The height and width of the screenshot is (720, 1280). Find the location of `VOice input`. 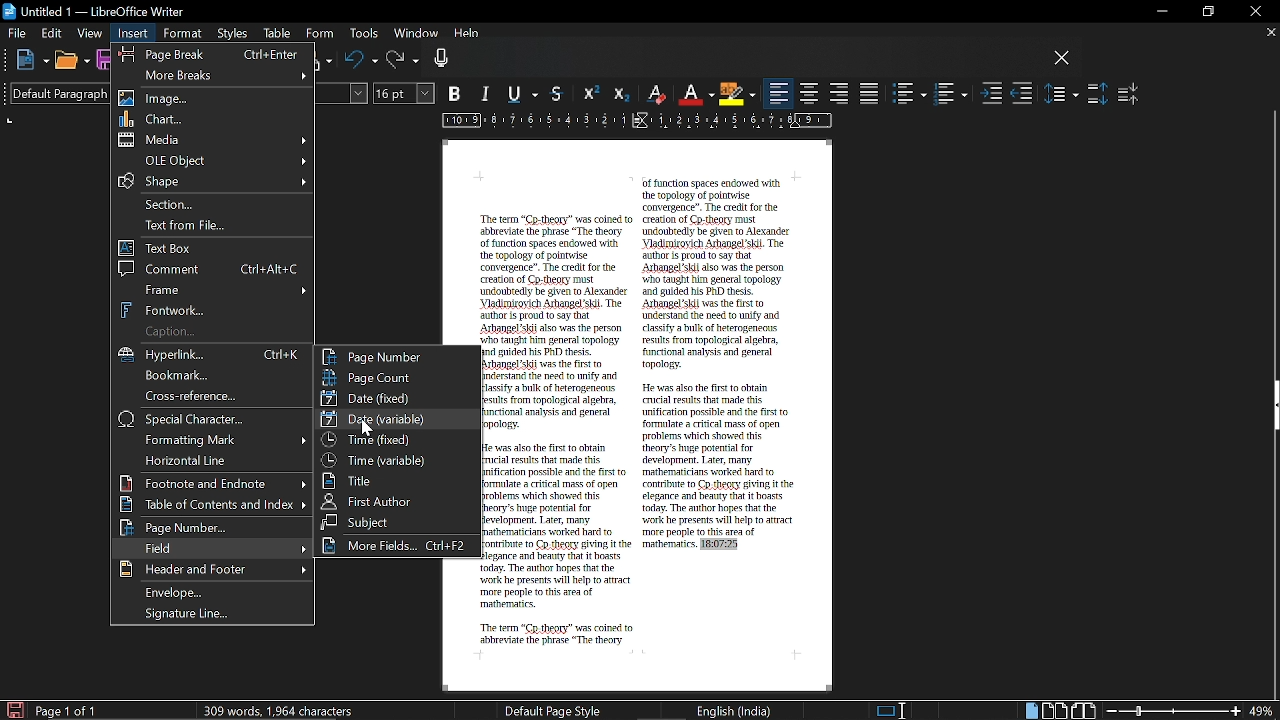

VOice input is located at coordinates (739, 61).